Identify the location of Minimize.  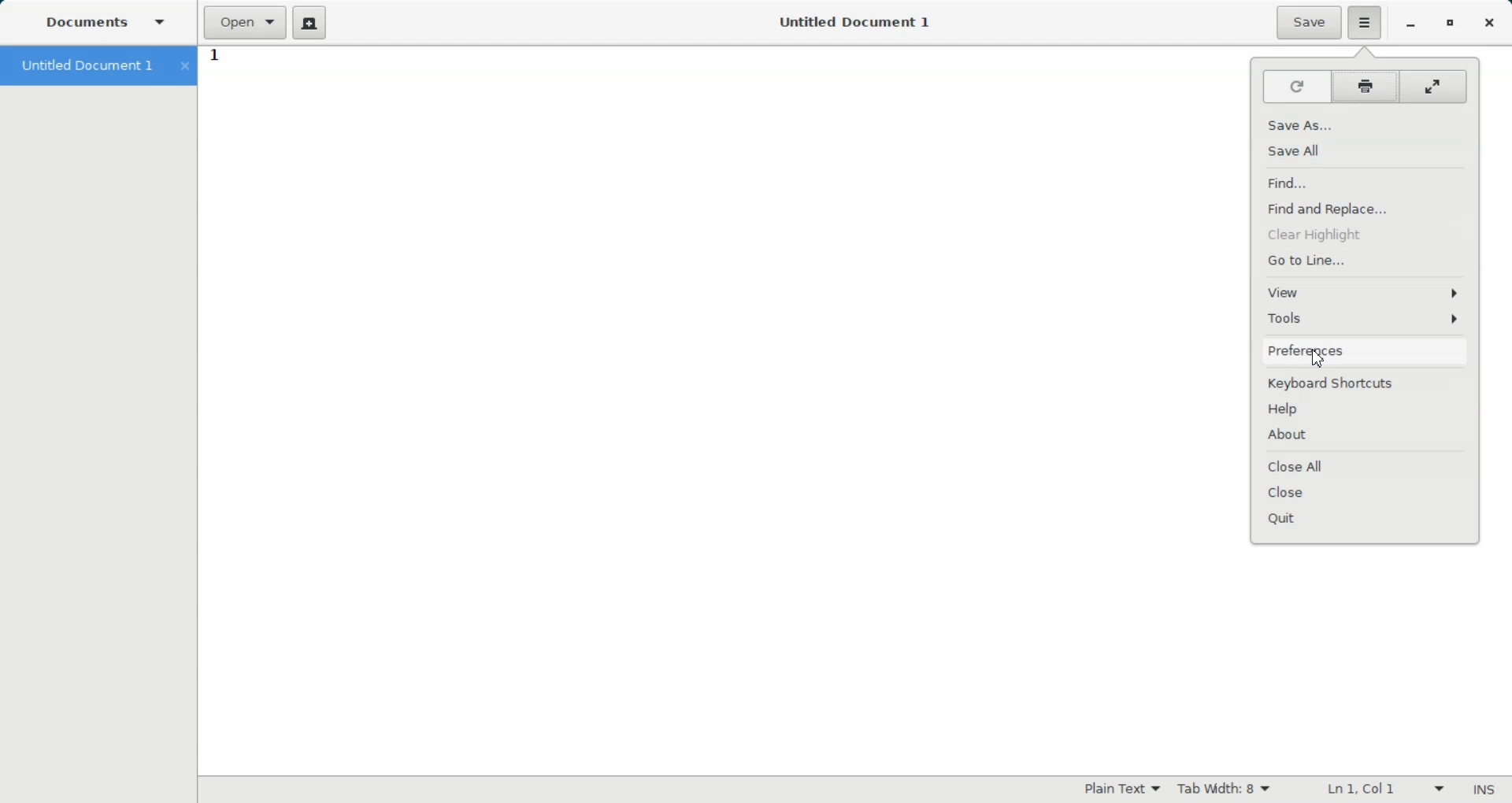
(1412, 24).